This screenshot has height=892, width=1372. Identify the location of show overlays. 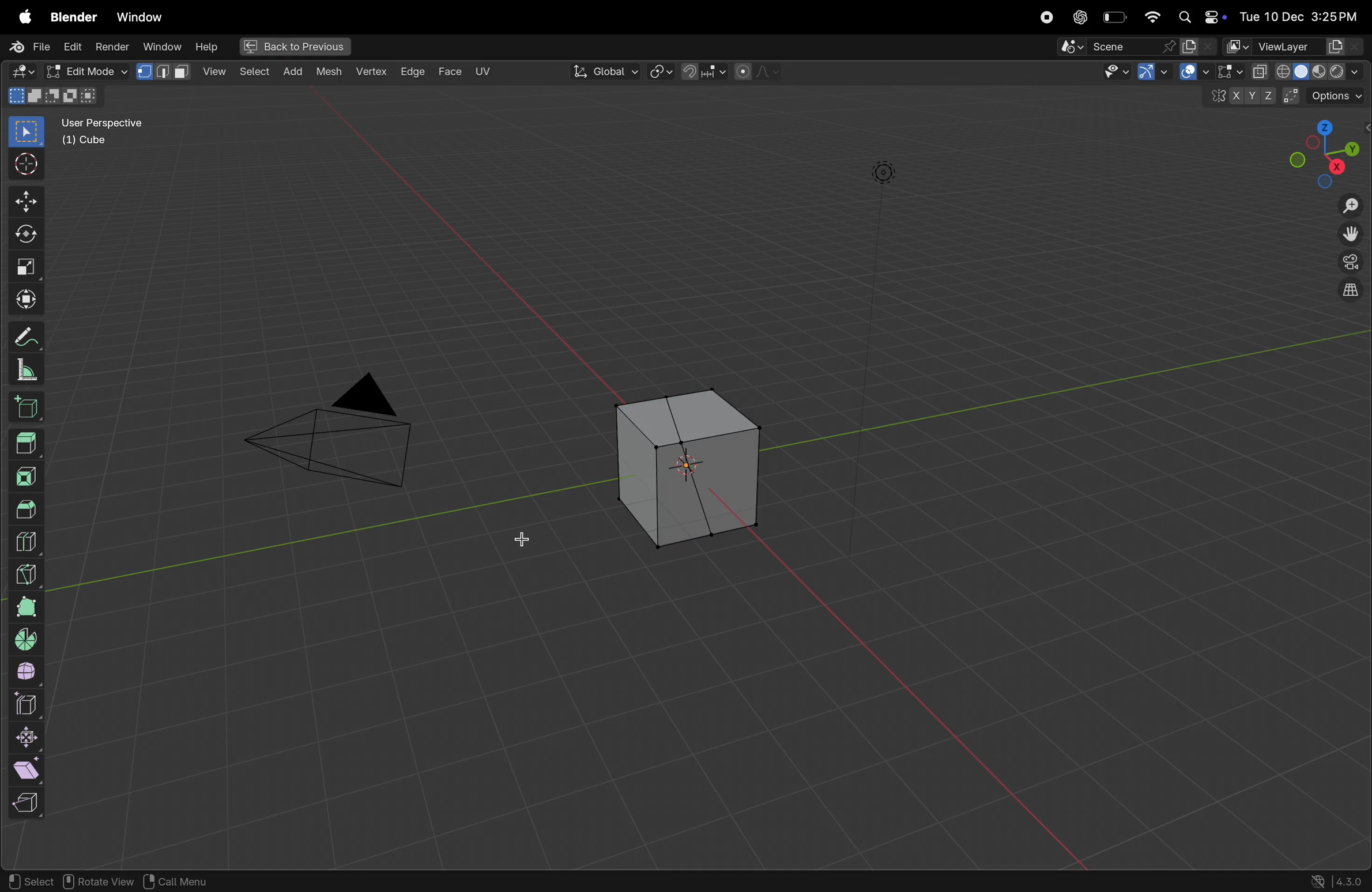
(1225, 71).